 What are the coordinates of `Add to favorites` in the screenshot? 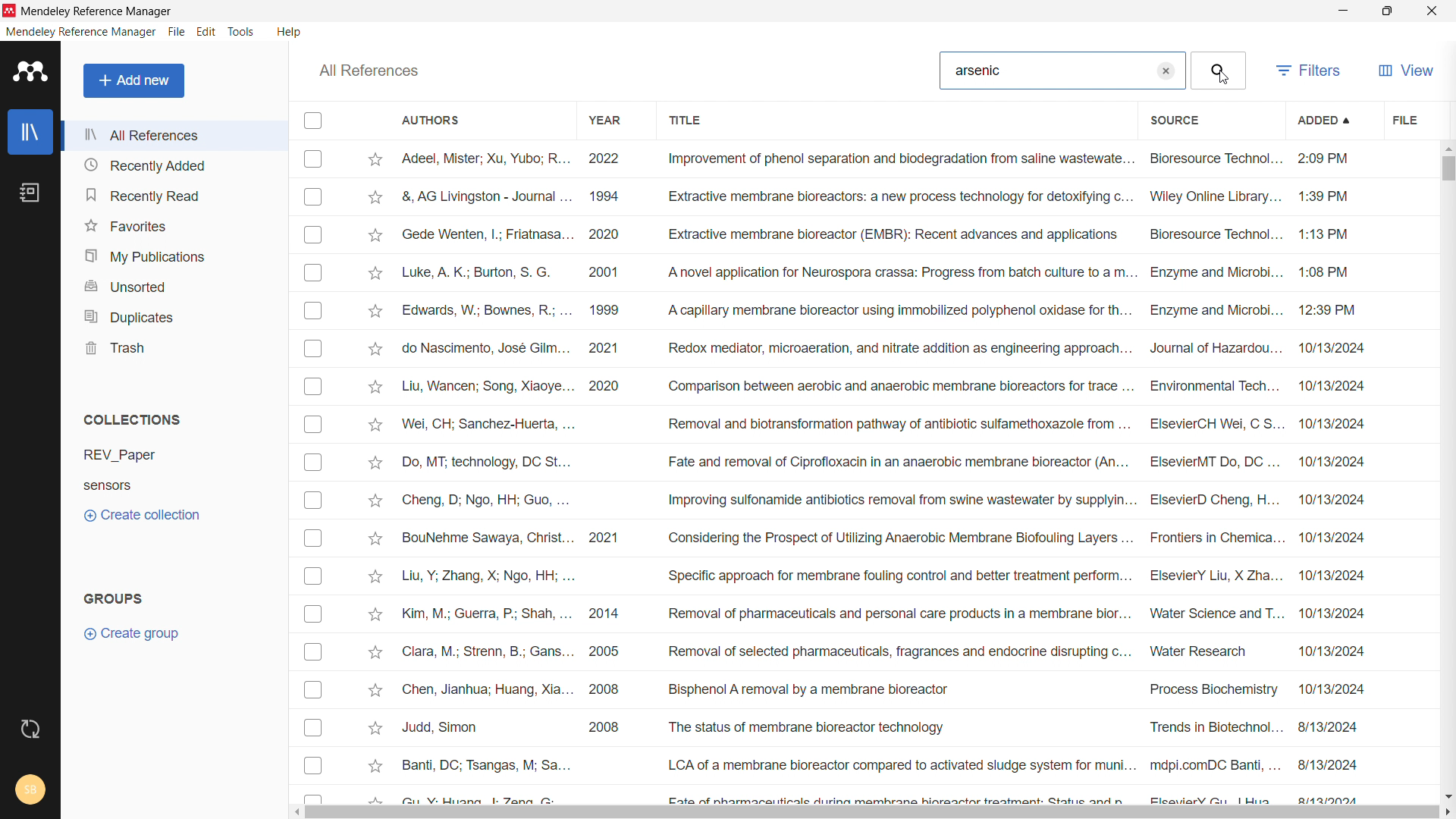 It's located at (372, 654).